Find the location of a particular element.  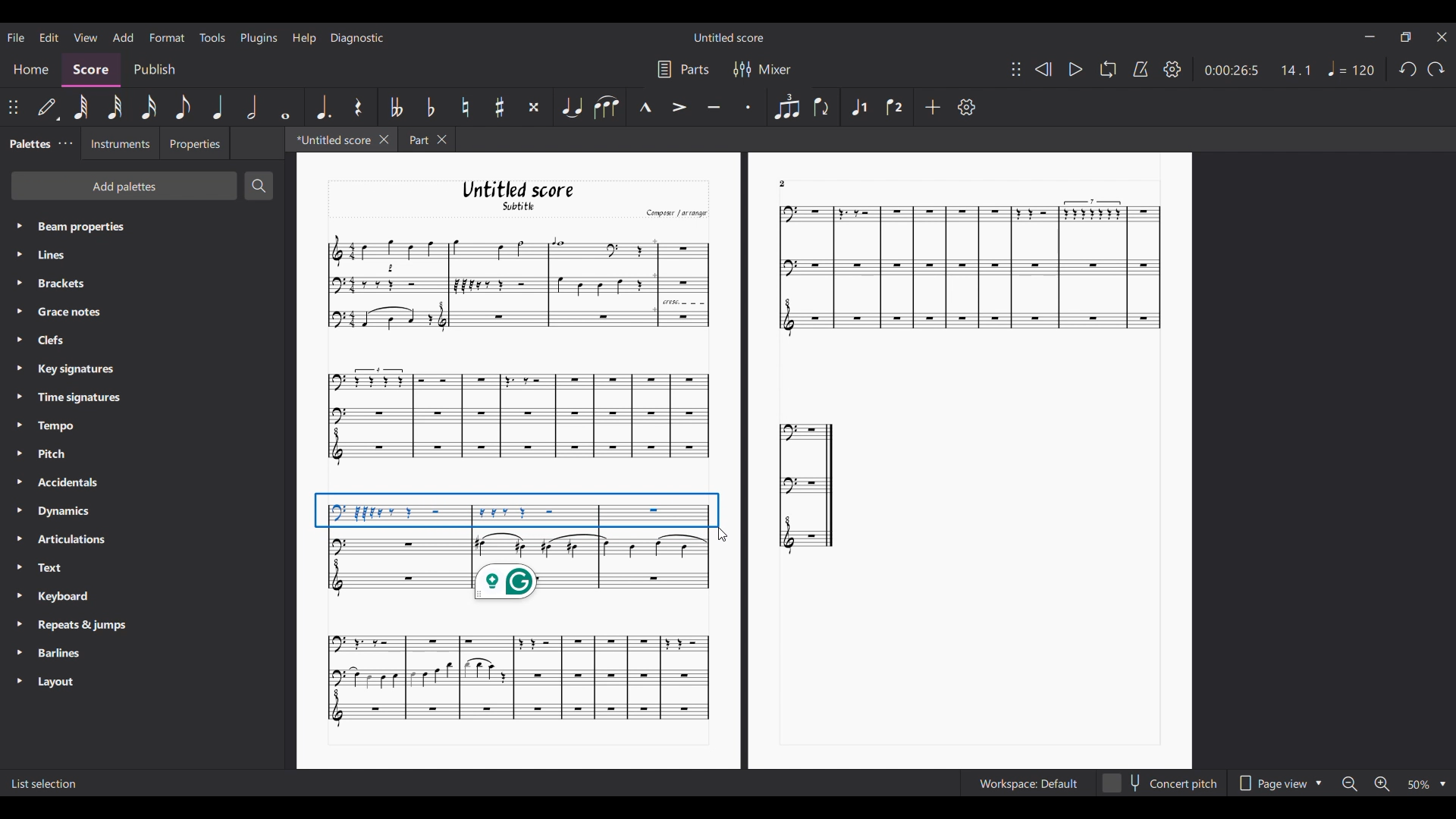

Untitled score Subtitle is located at coordinates (532, 196).